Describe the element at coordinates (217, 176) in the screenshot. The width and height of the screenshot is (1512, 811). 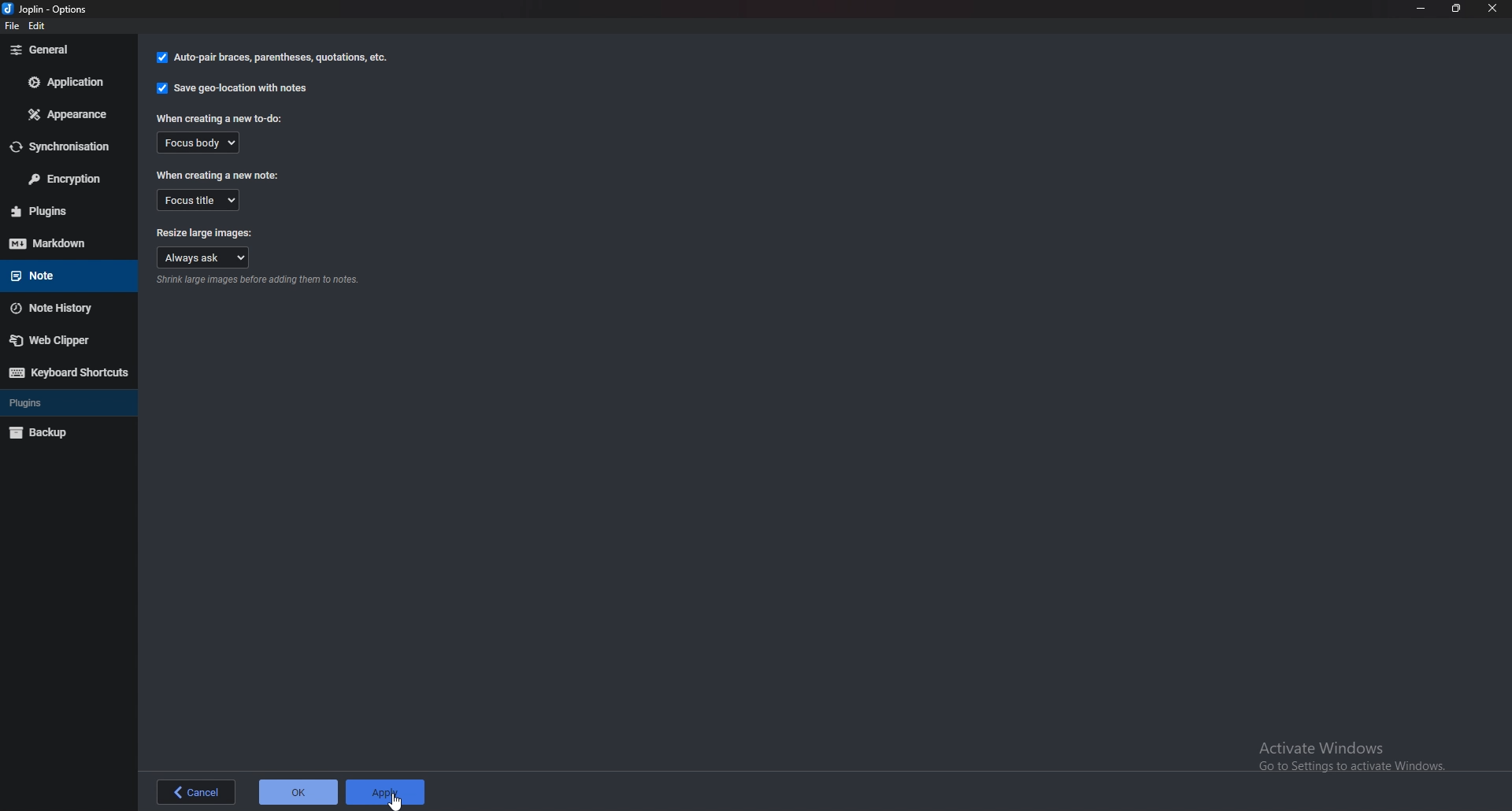
I see `When creating a new note` at that location.